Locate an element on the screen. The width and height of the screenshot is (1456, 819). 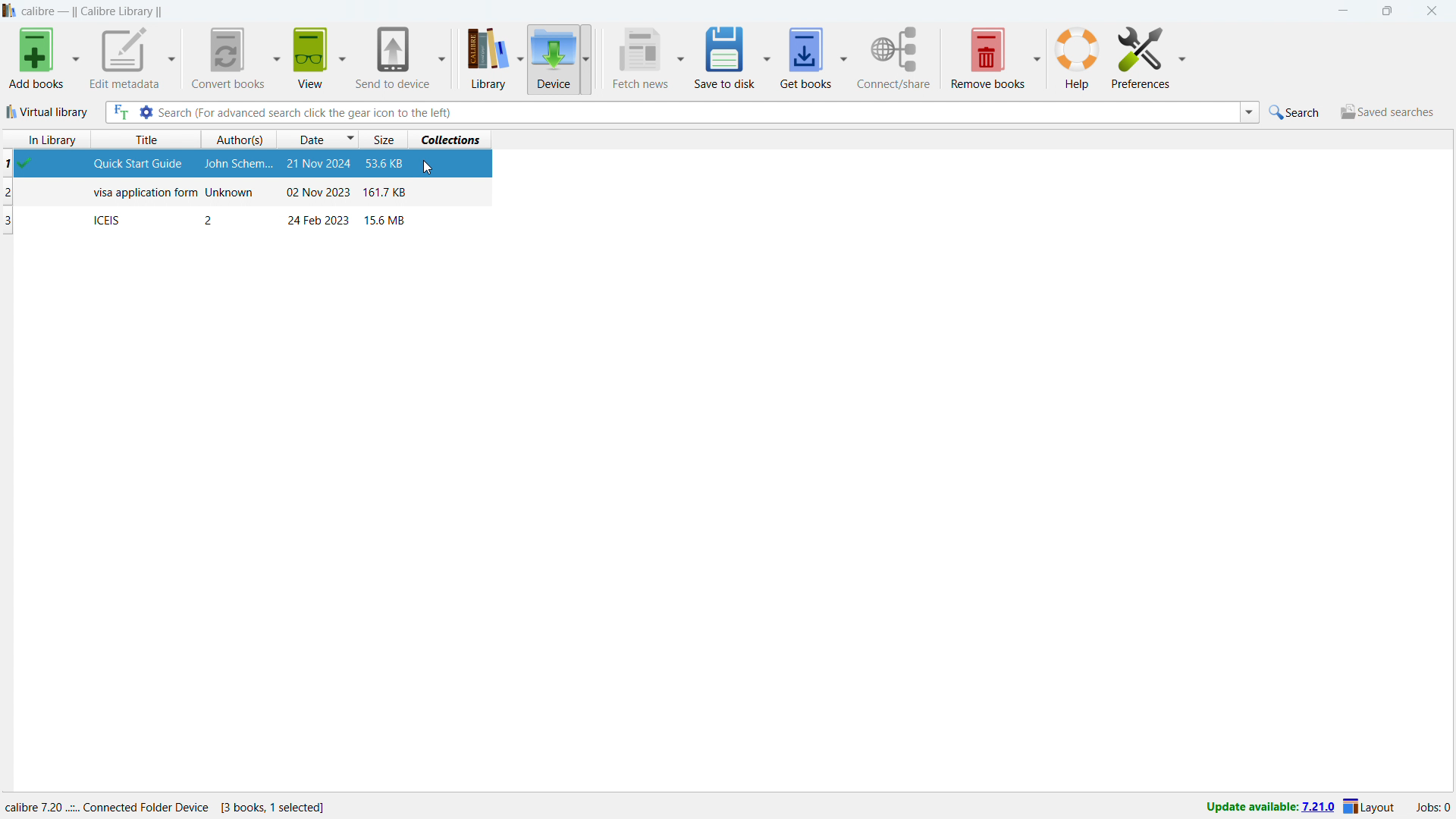
cursor is located at coordinates (430, 168).